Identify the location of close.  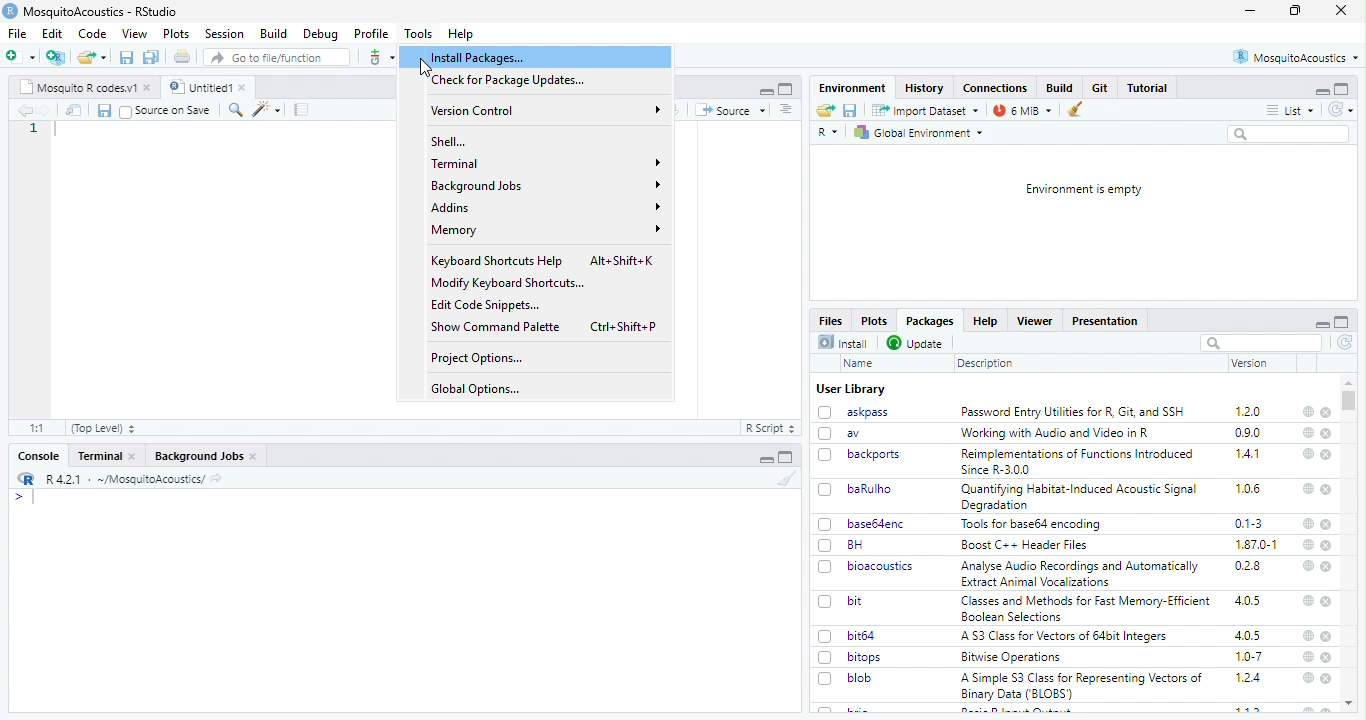
(1327, 679).